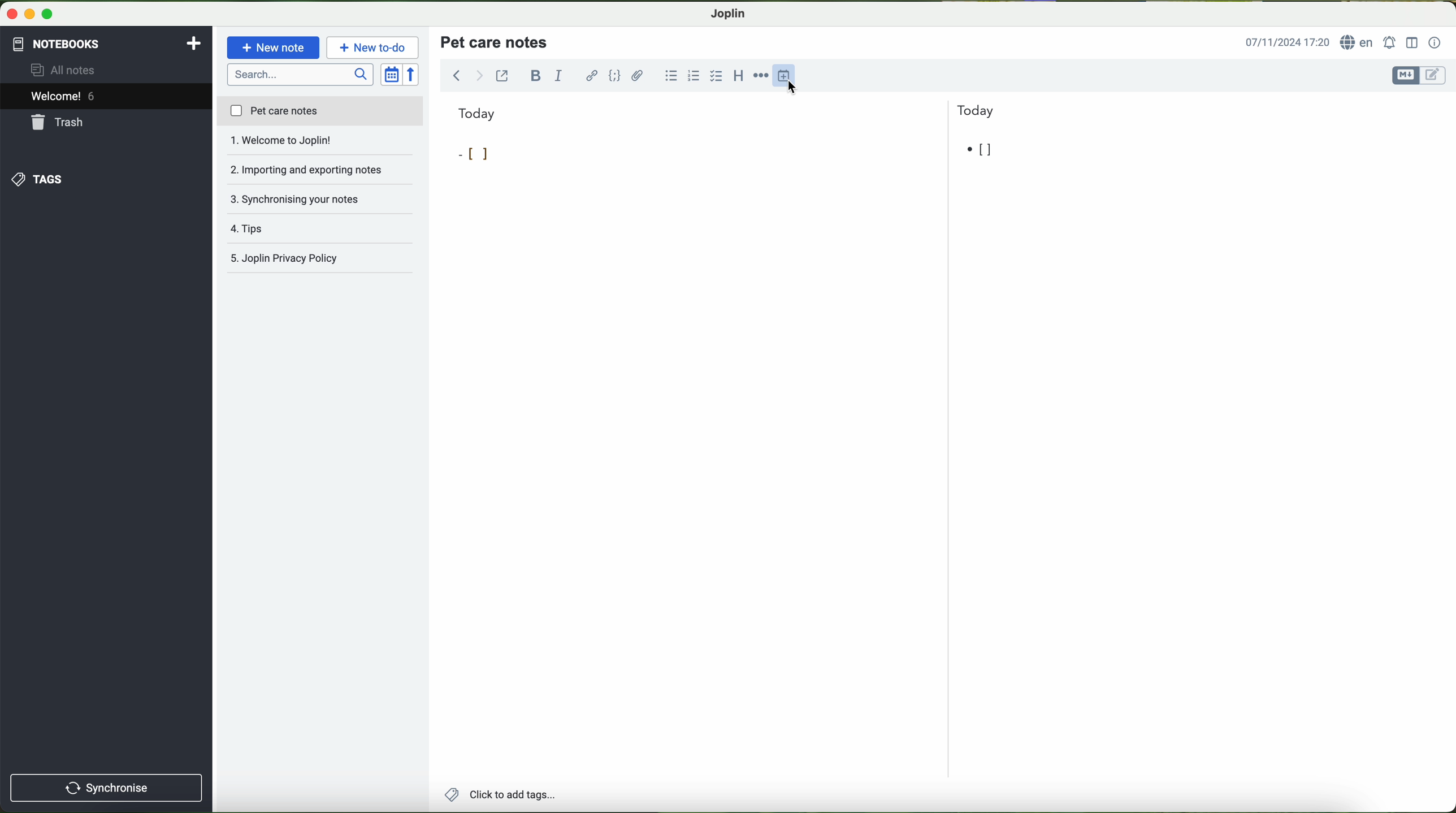 The image size is (1456, 813). I want to click on [], so click(980, 151).